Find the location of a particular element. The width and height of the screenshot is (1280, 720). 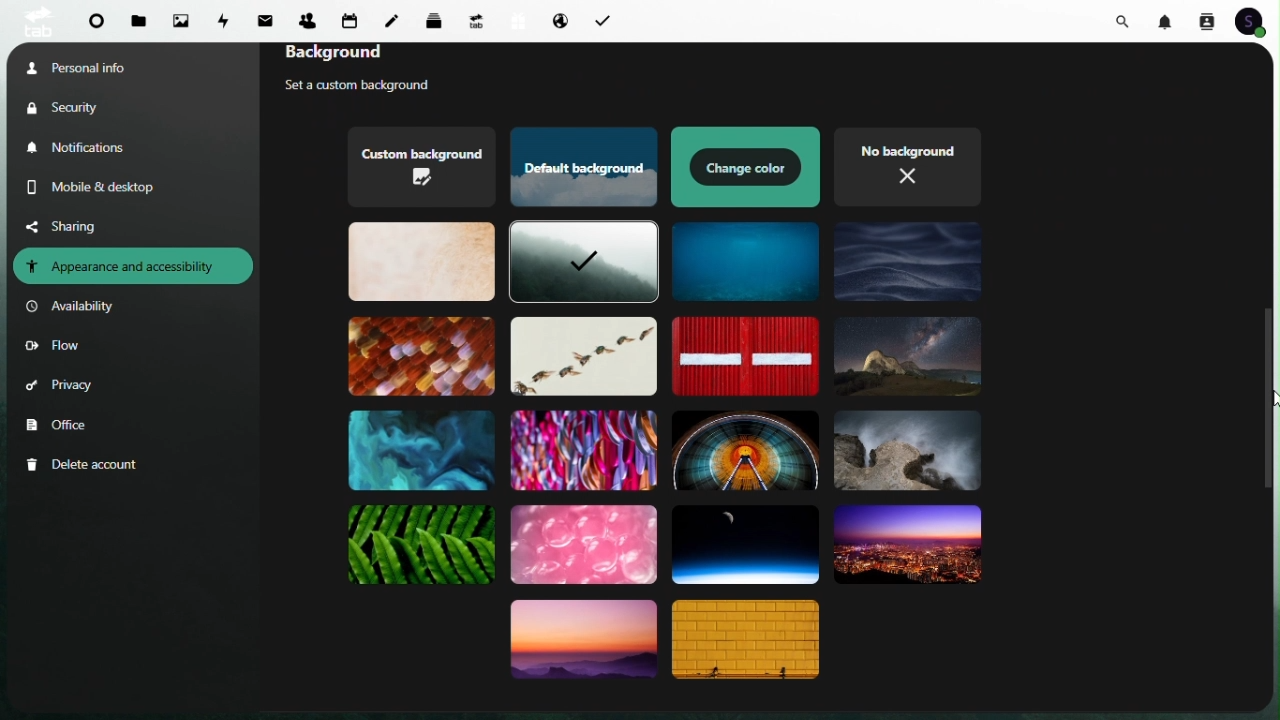

Themes is located at coordinates (584, 542).